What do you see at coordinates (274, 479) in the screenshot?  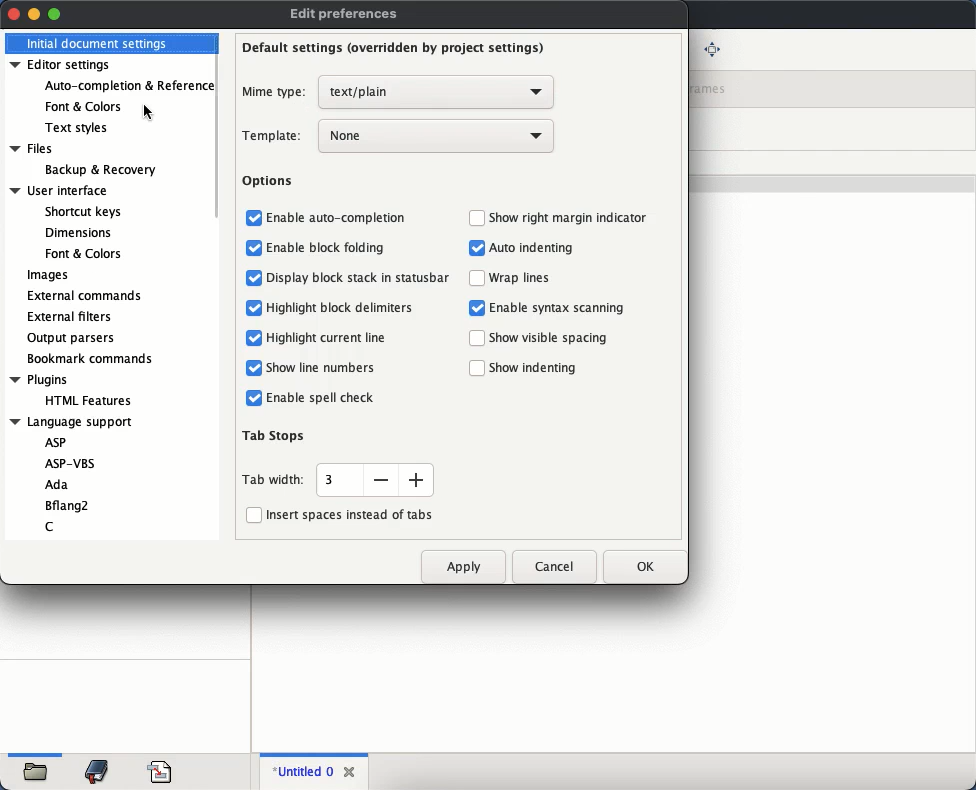 I see `tab width` at bounding box center [274, 479].